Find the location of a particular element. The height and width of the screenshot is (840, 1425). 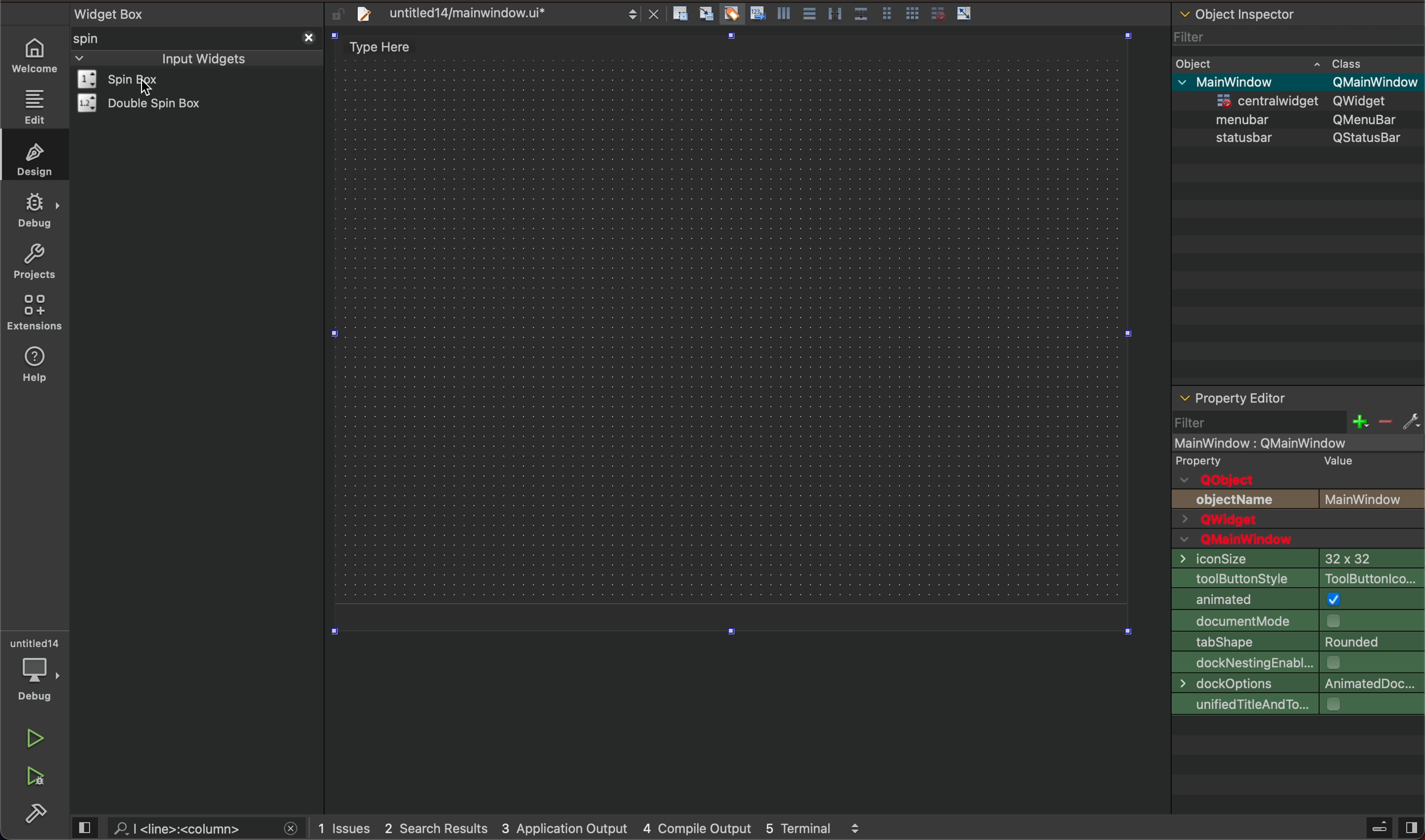

object is located at coordinates (1198, 62).